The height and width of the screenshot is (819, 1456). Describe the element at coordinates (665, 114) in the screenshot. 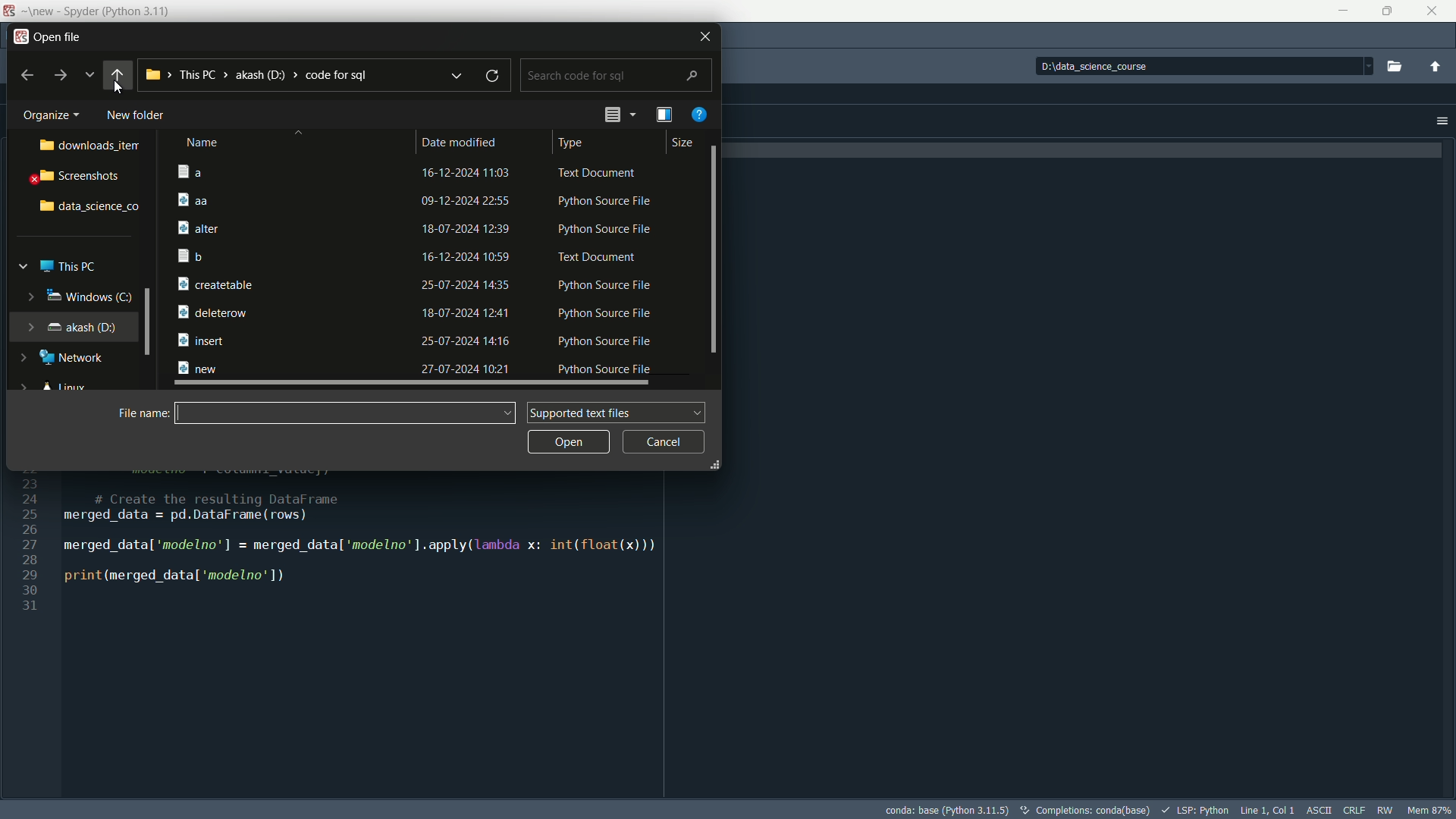

I see `preview pane` at that location.